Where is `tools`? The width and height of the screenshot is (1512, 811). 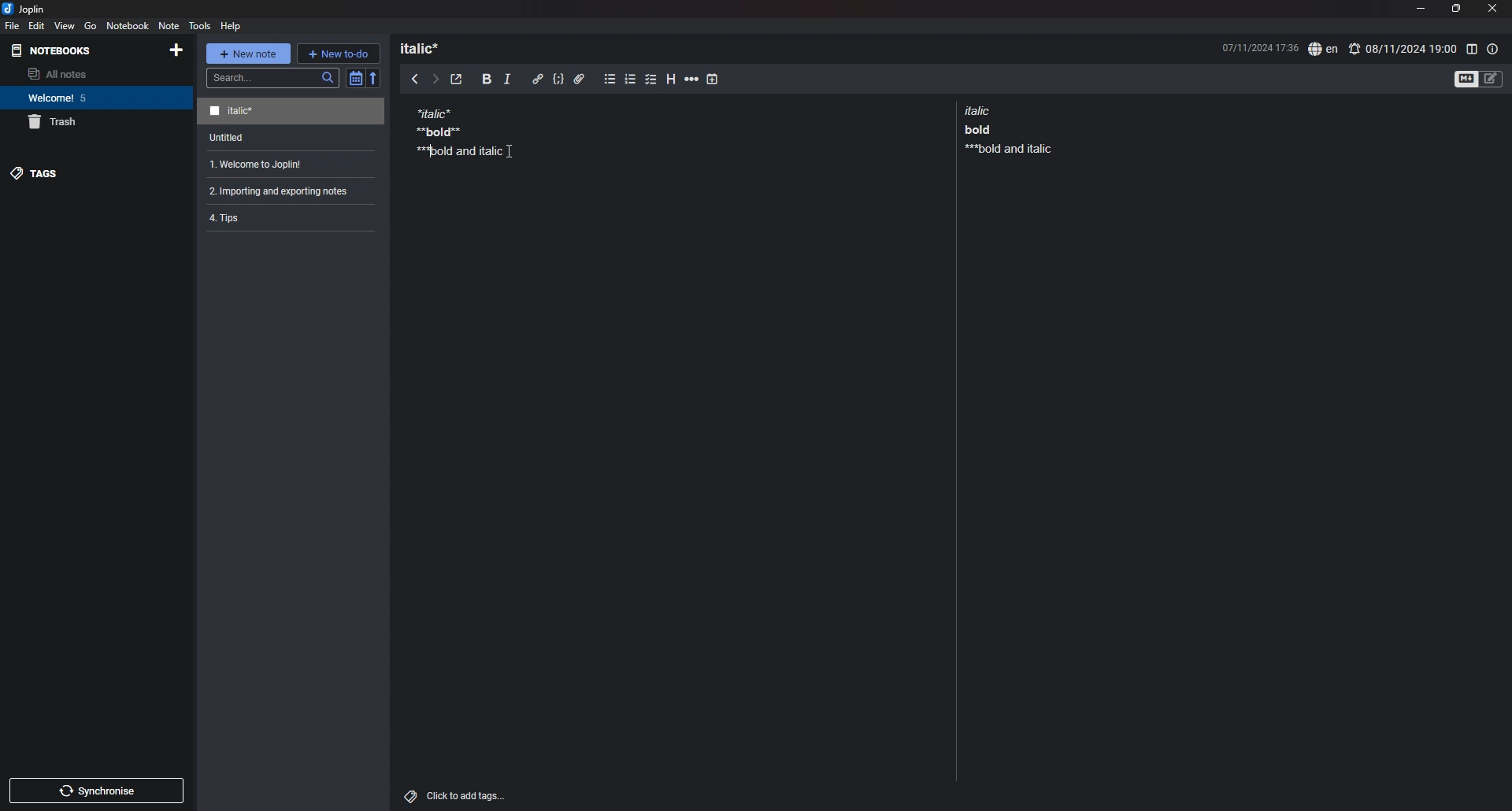 tools is located at coordinates (200, 25).